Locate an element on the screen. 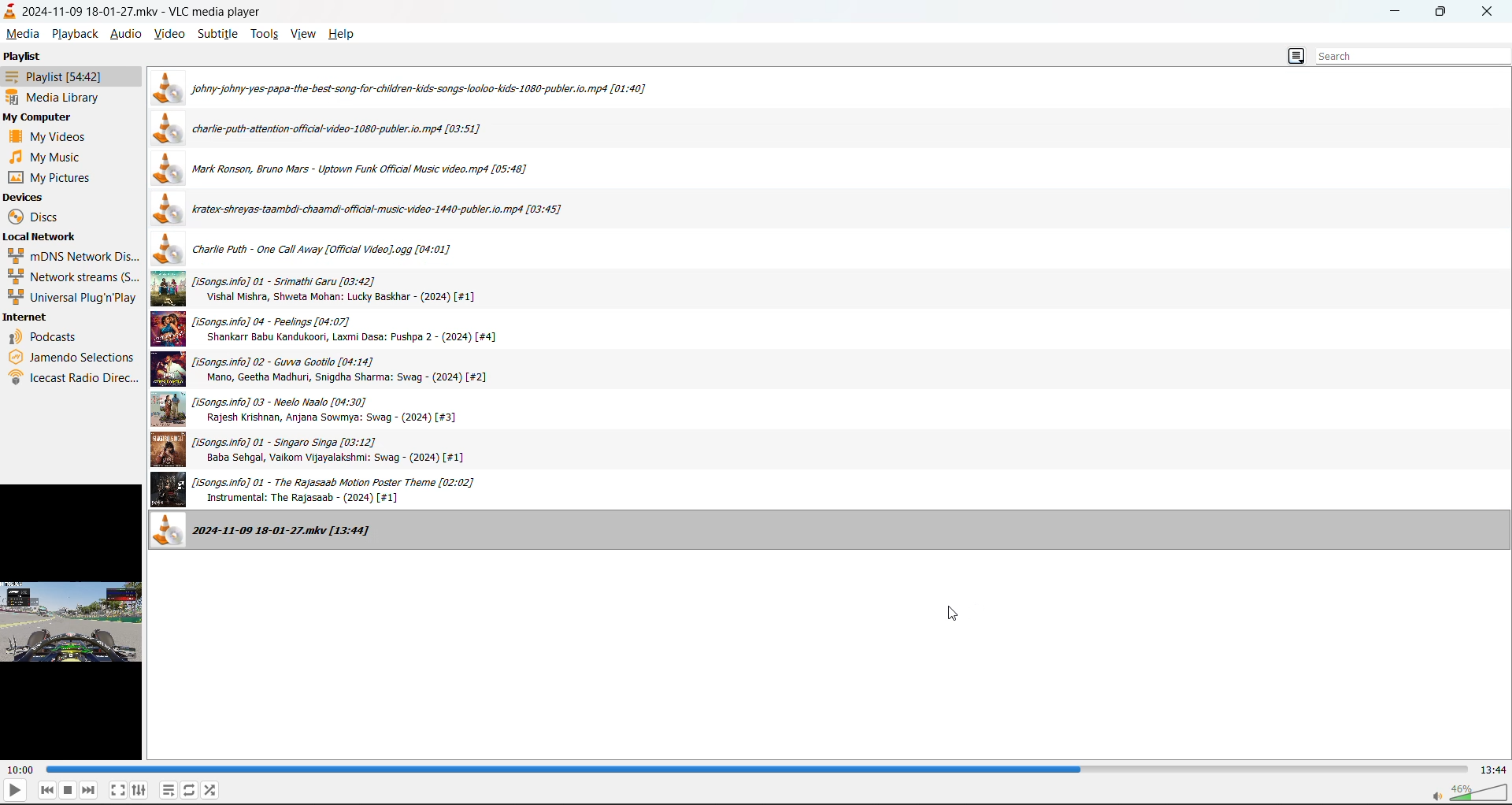 This screenshot has height=805, width=1512. internet is located at coordinates (31, 316).